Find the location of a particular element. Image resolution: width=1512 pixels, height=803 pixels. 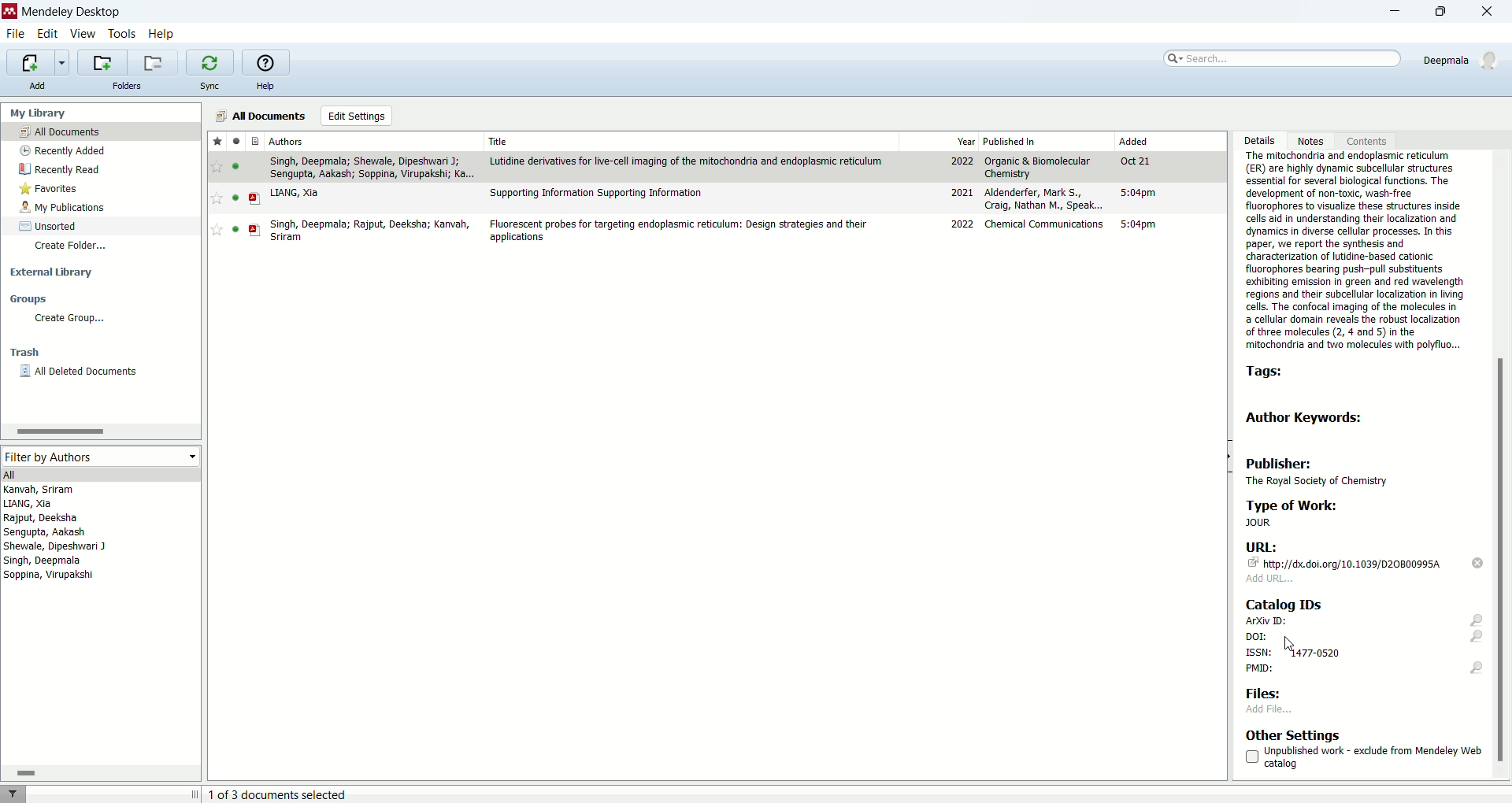

aldenderfer, Mark S., Craig Nathan M., Speak... is located at coordinates (1044, 198).